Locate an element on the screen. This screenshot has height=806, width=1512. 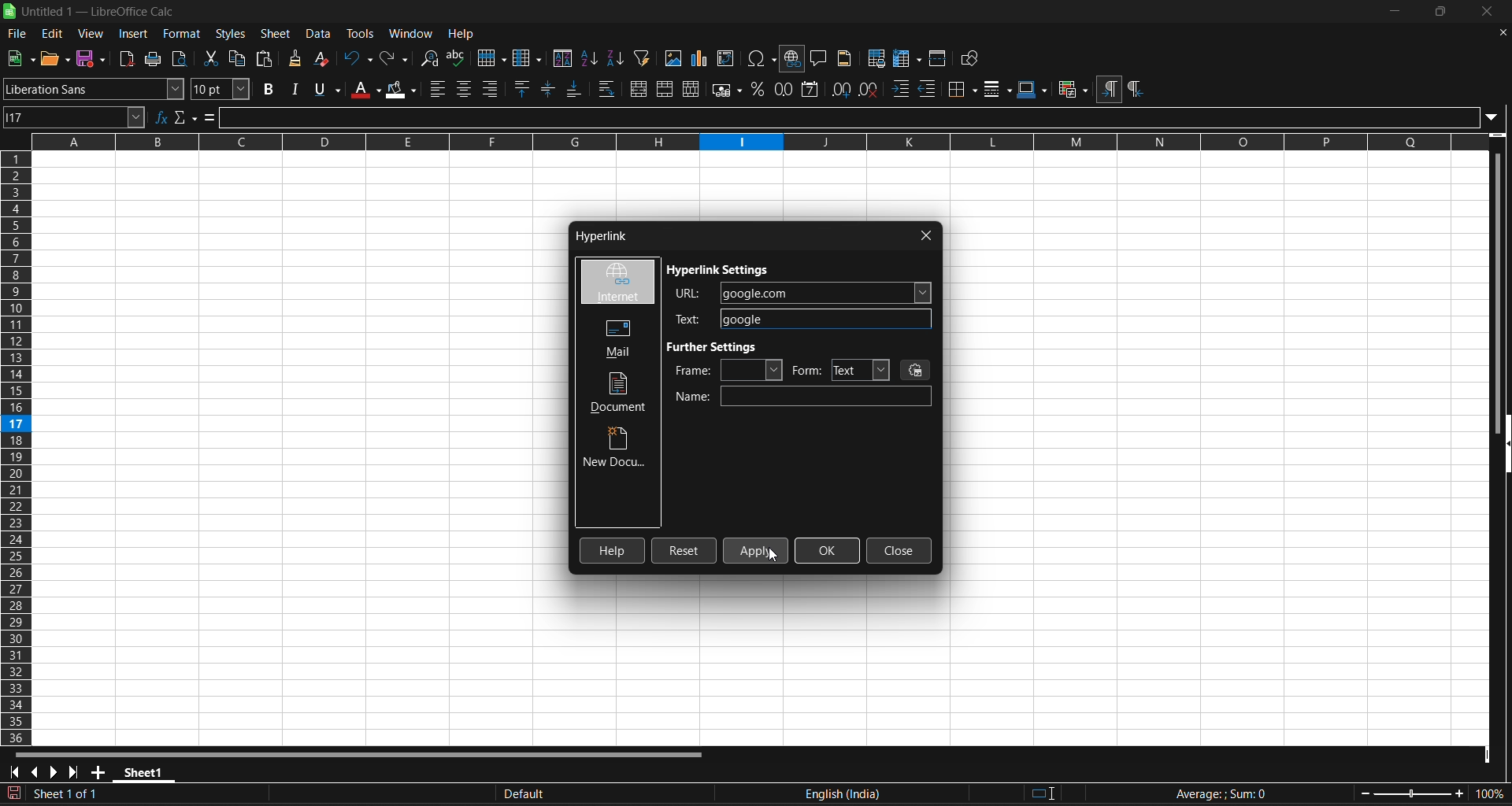
scroll to first sheet is located at coordinates (13, 772).